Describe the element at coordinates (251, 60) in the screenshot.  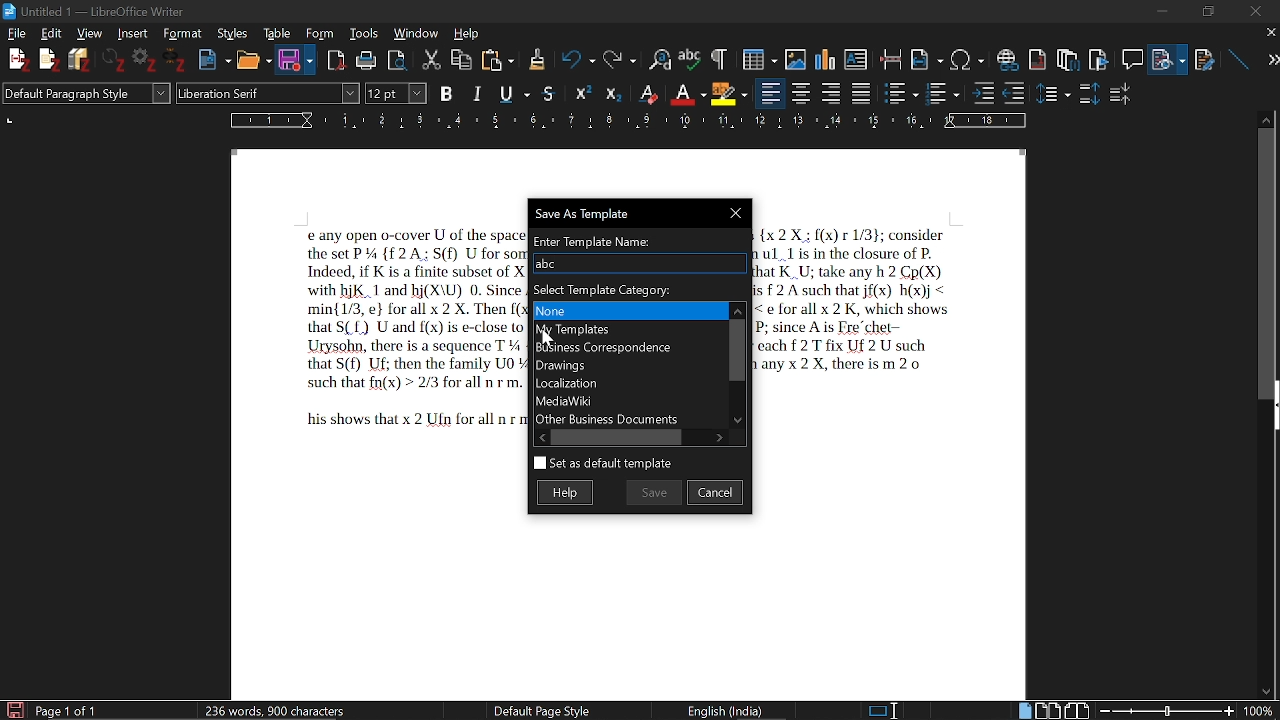
I see `Open` at that location.